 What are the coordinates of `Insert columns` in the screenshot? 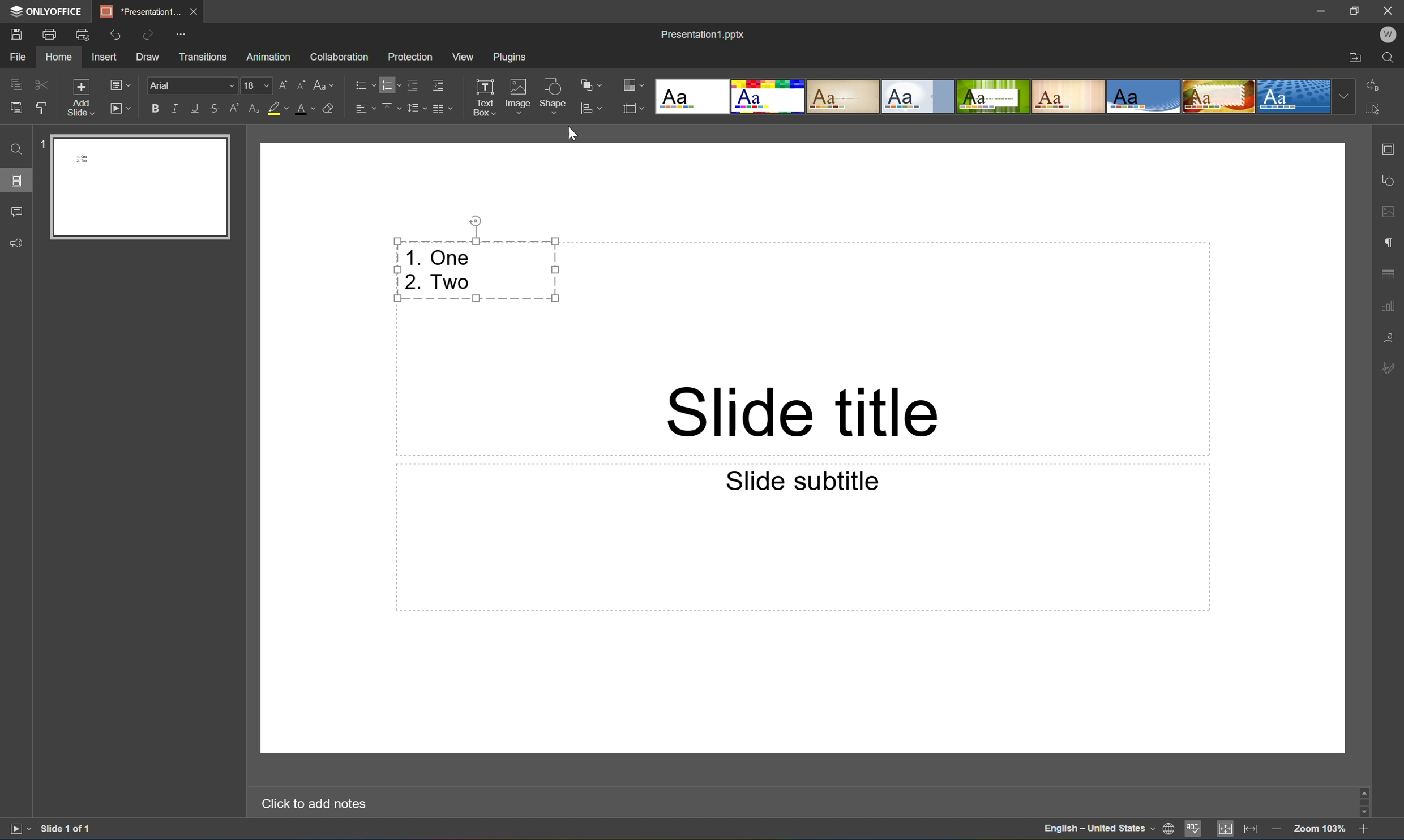 It's located at (443, 112).